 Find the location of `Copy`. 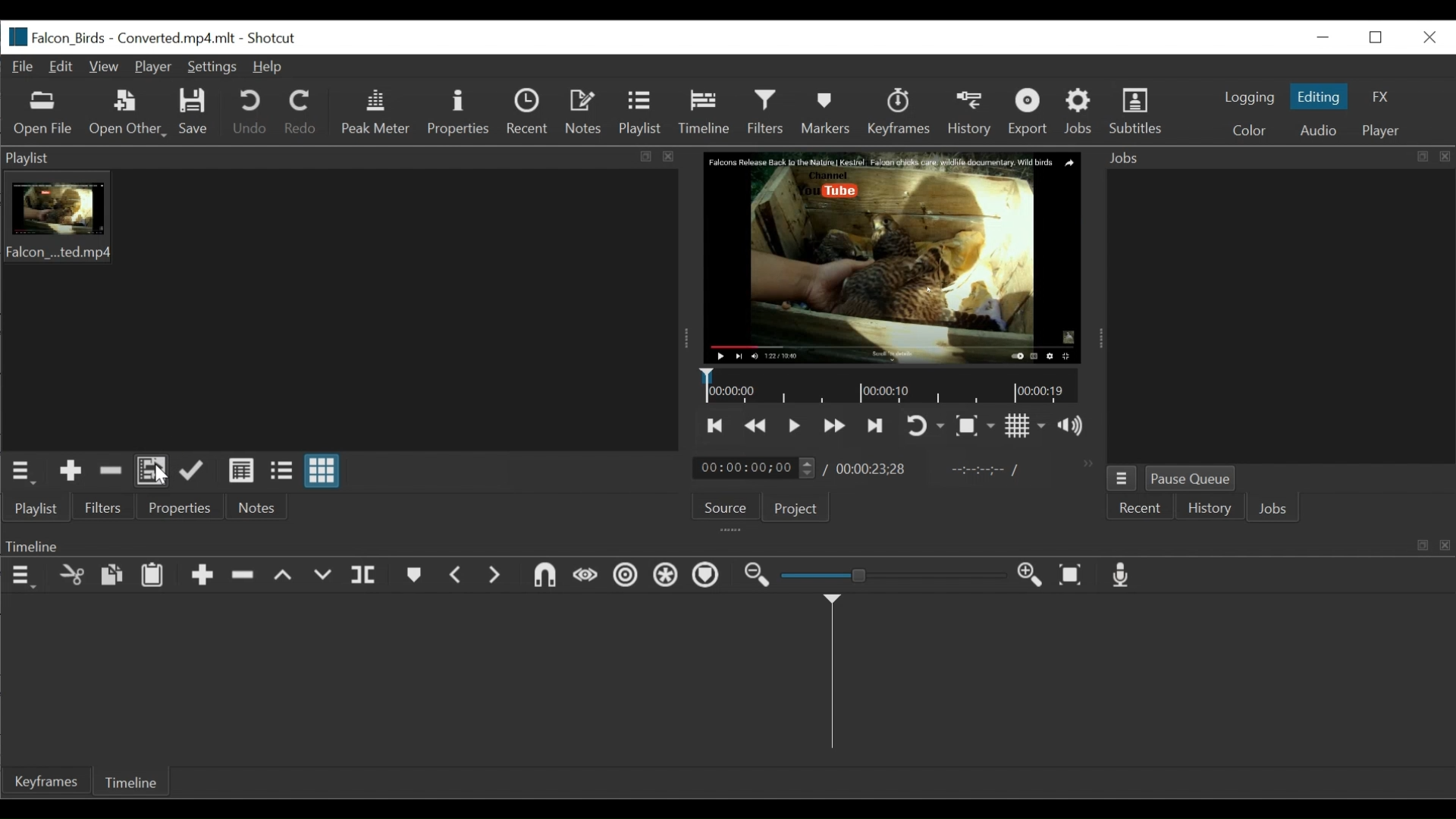

Copy is located at coordinates (111, 576).